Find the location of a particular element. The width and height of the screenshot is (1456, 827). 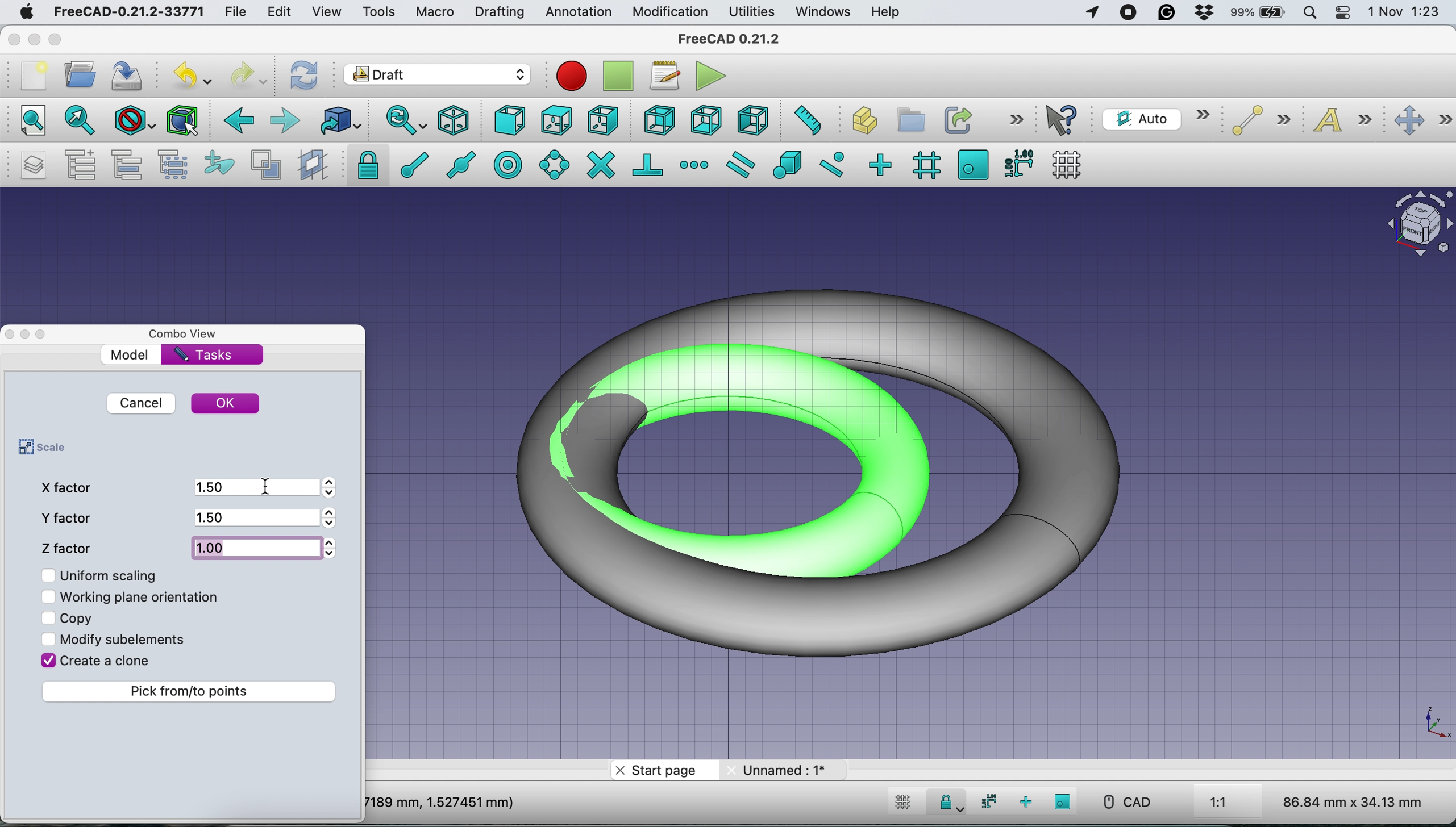

Toggle Overlay is located at coordinates (47, 335).